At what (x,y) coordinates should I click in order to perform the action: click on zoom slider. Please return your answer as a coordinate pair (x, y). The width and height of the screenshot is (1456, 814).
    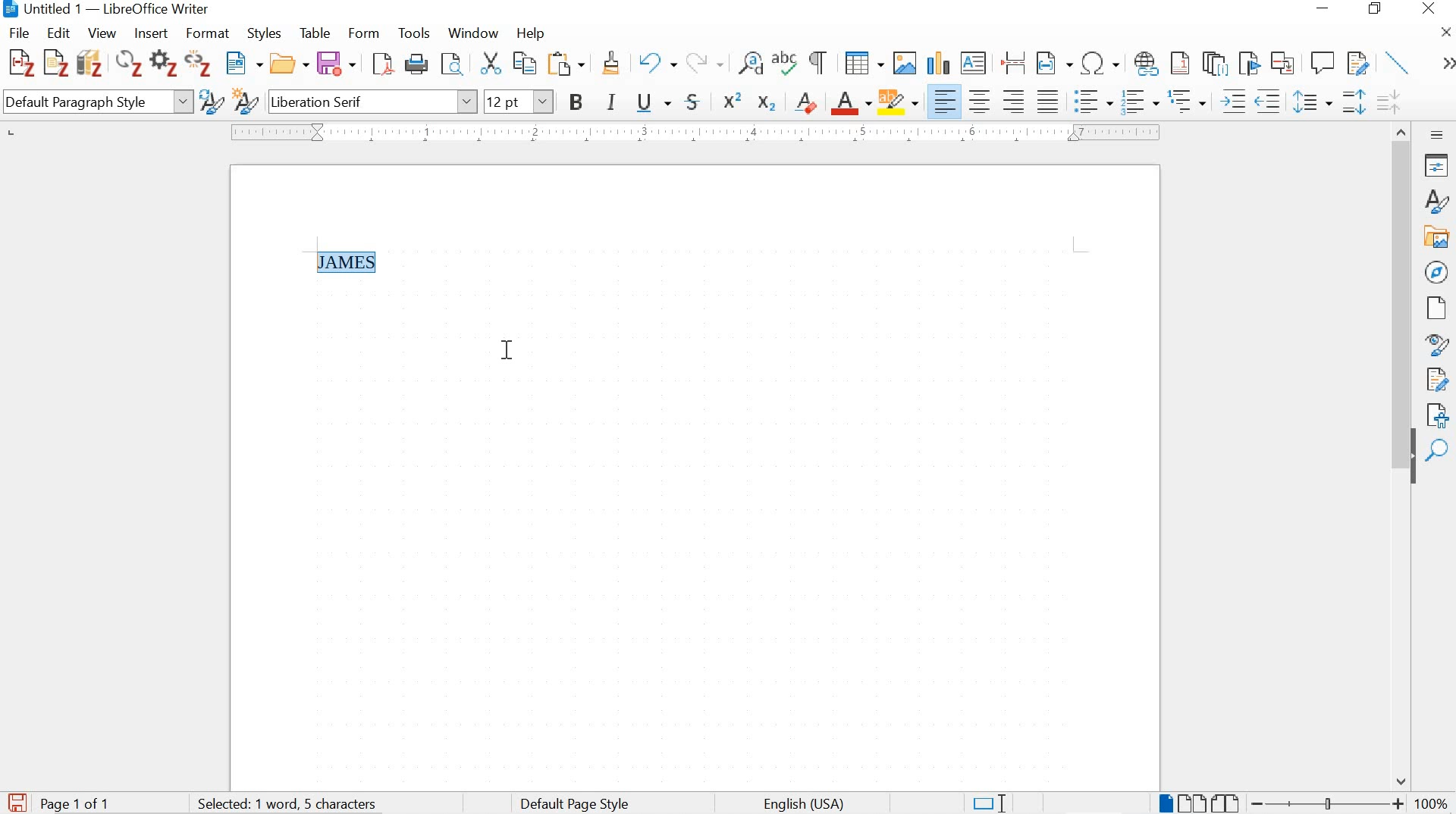
    Looking at the image, I should click on (1323, 803).